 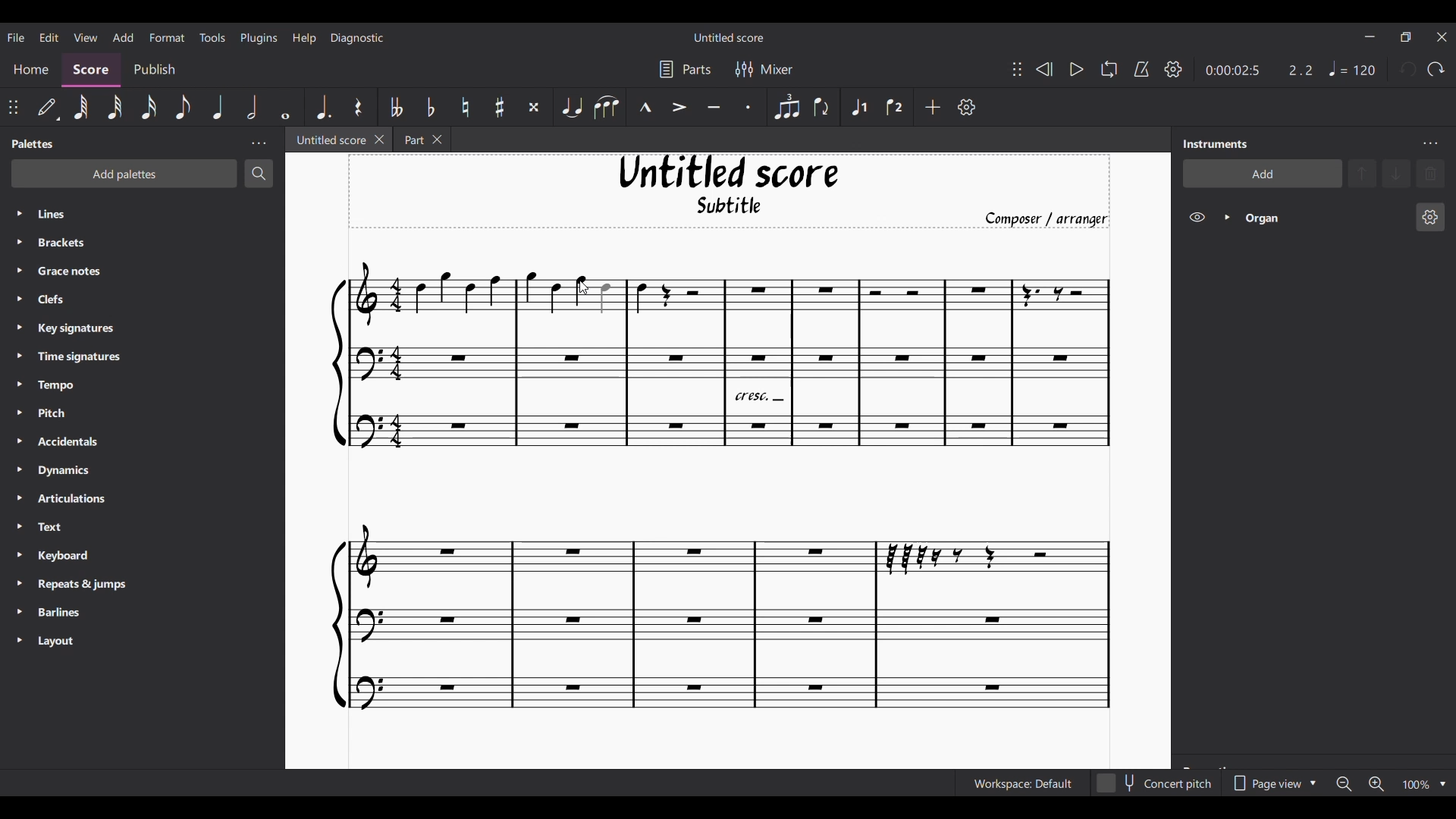 What do you see at coordinates (218, 107) in the screenshot?
I see `Quarter note` at bounding box center [218, 107].